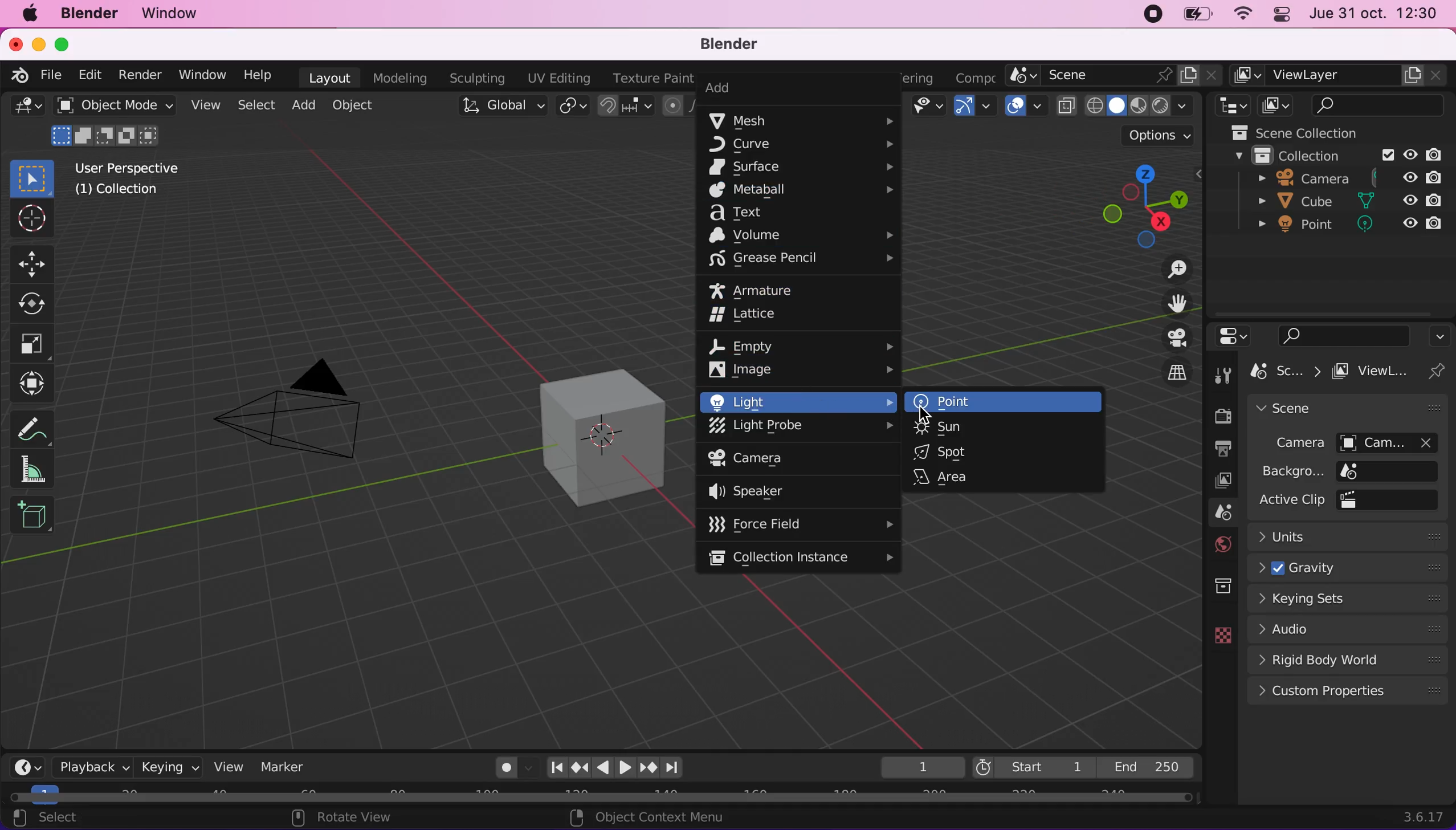  What do you see at coordinates (1198, 14) in the screenshot?
I see `battery` at bounding box center [1198, 14].